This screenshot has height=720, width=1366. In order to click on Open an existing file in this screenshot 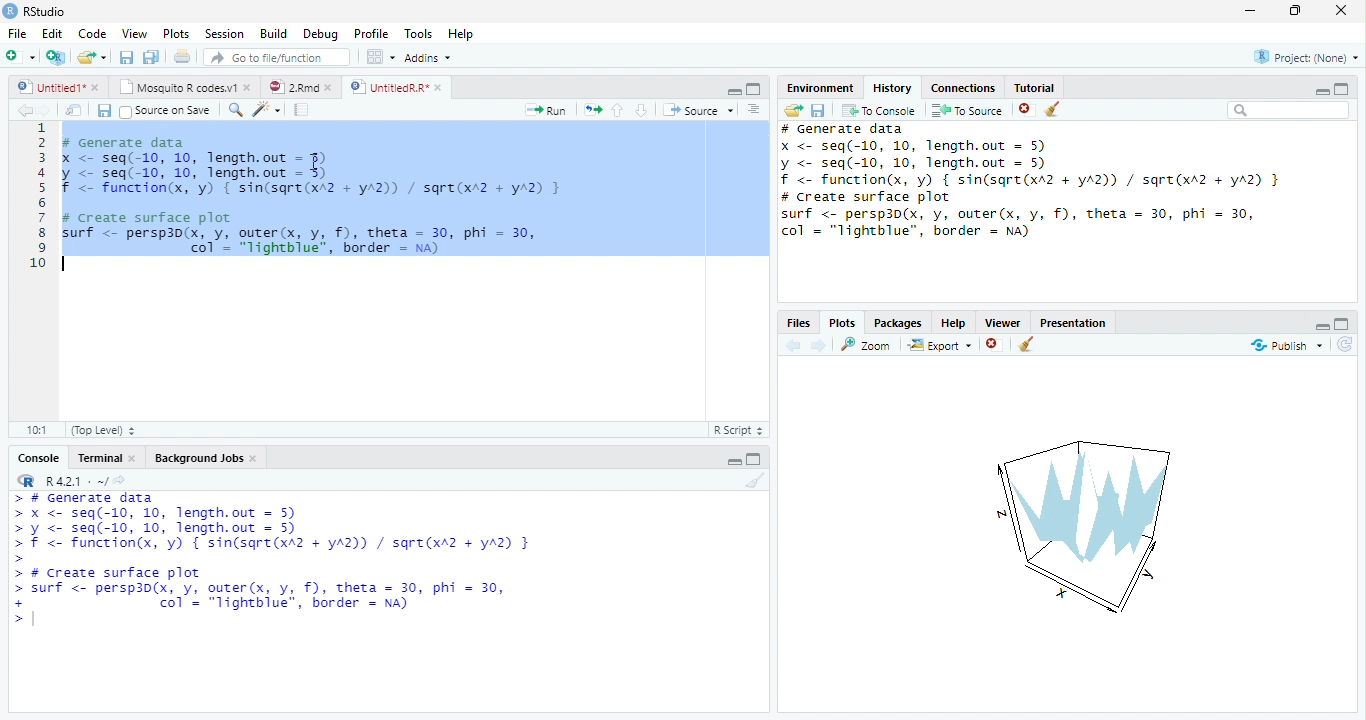, I will do `click(84, 57)`.